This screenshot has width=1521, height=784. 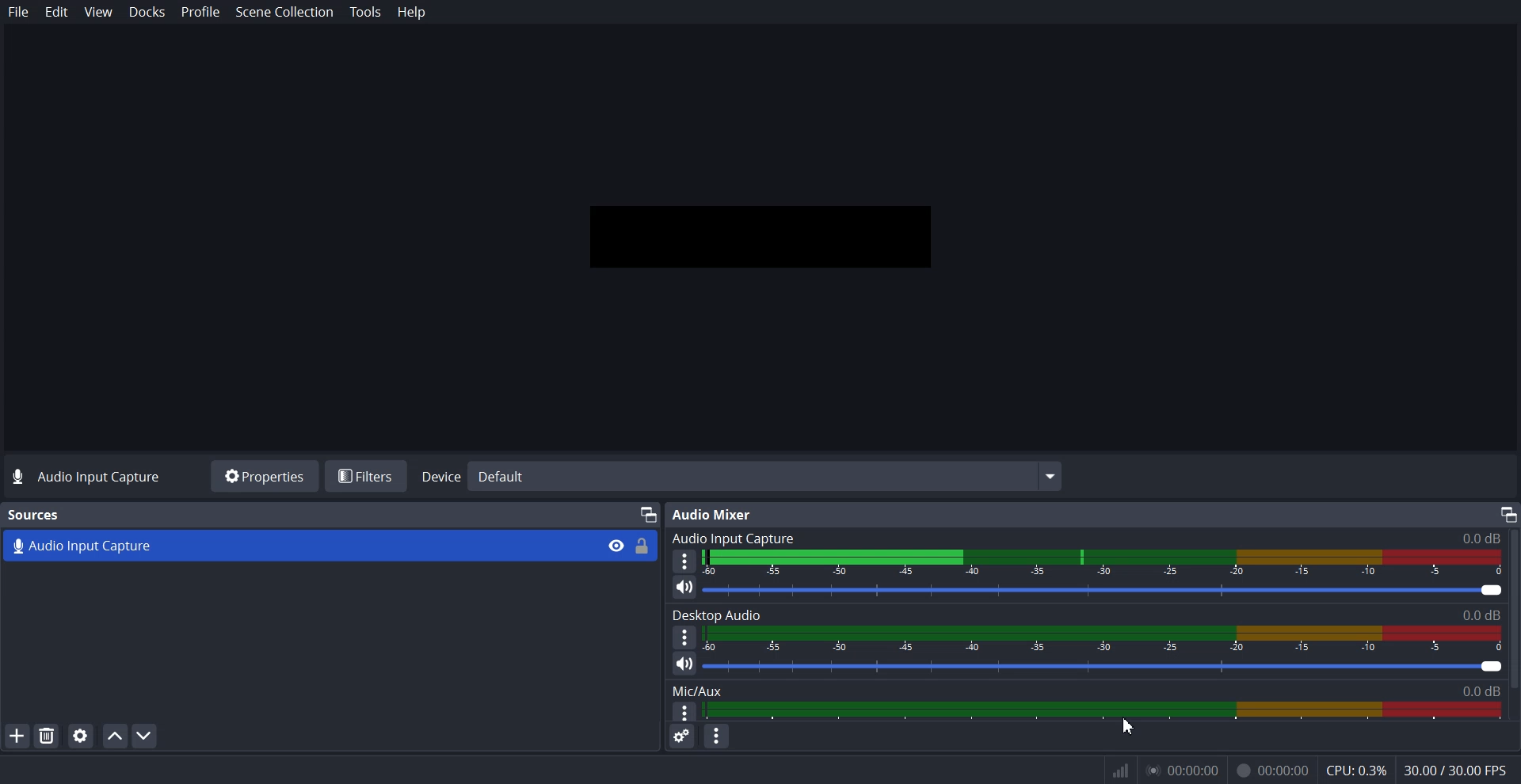 What do you see at coordinates (681, 737) in the screenshot?
I see `Advance audio properties` at bounding box center [681, 737].